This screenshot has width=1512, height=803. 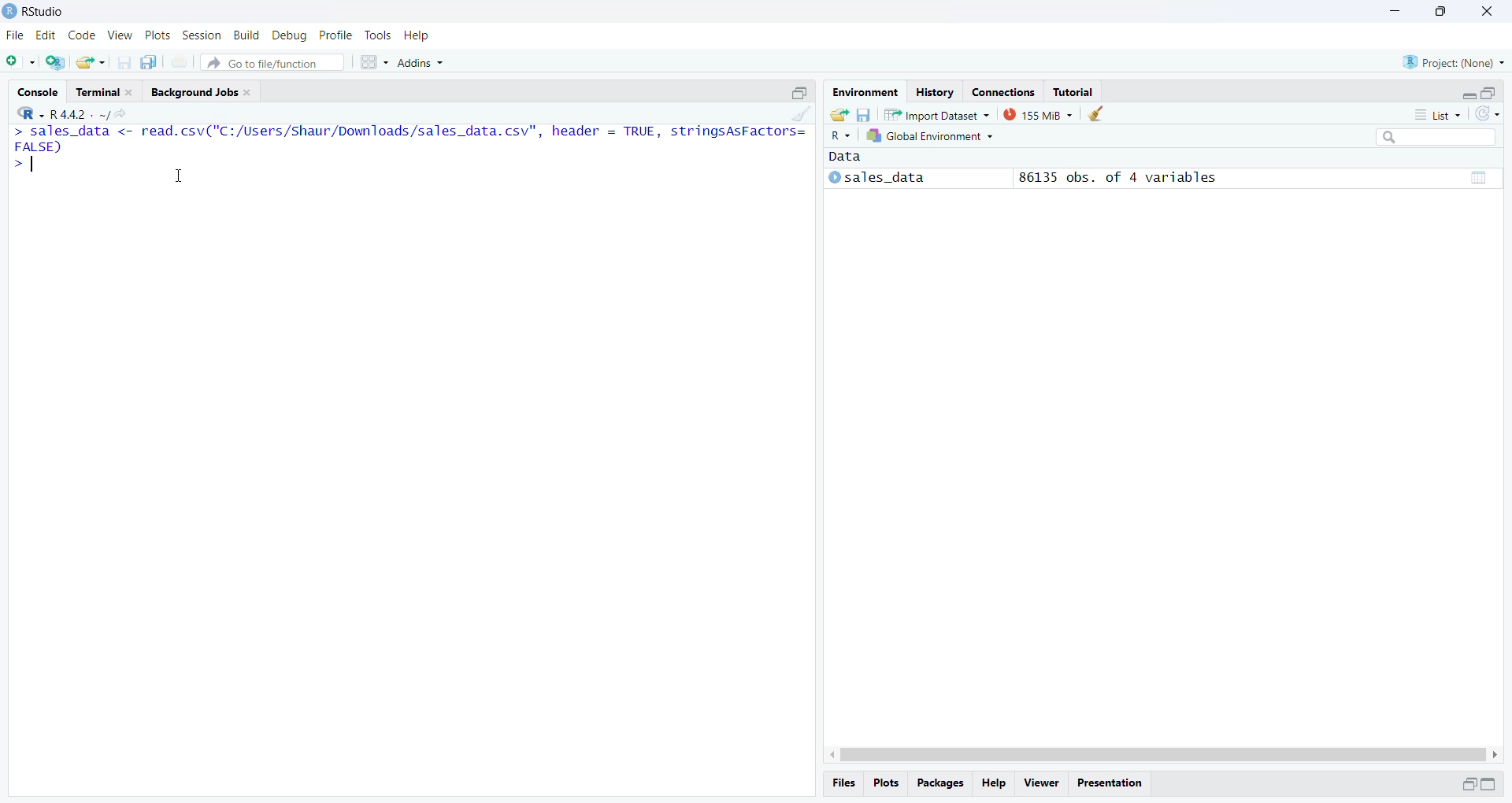 What do you see at coordinates (202, 92) in the screenshot?
I see `Background Jobs` at bounding box center [202, 92].